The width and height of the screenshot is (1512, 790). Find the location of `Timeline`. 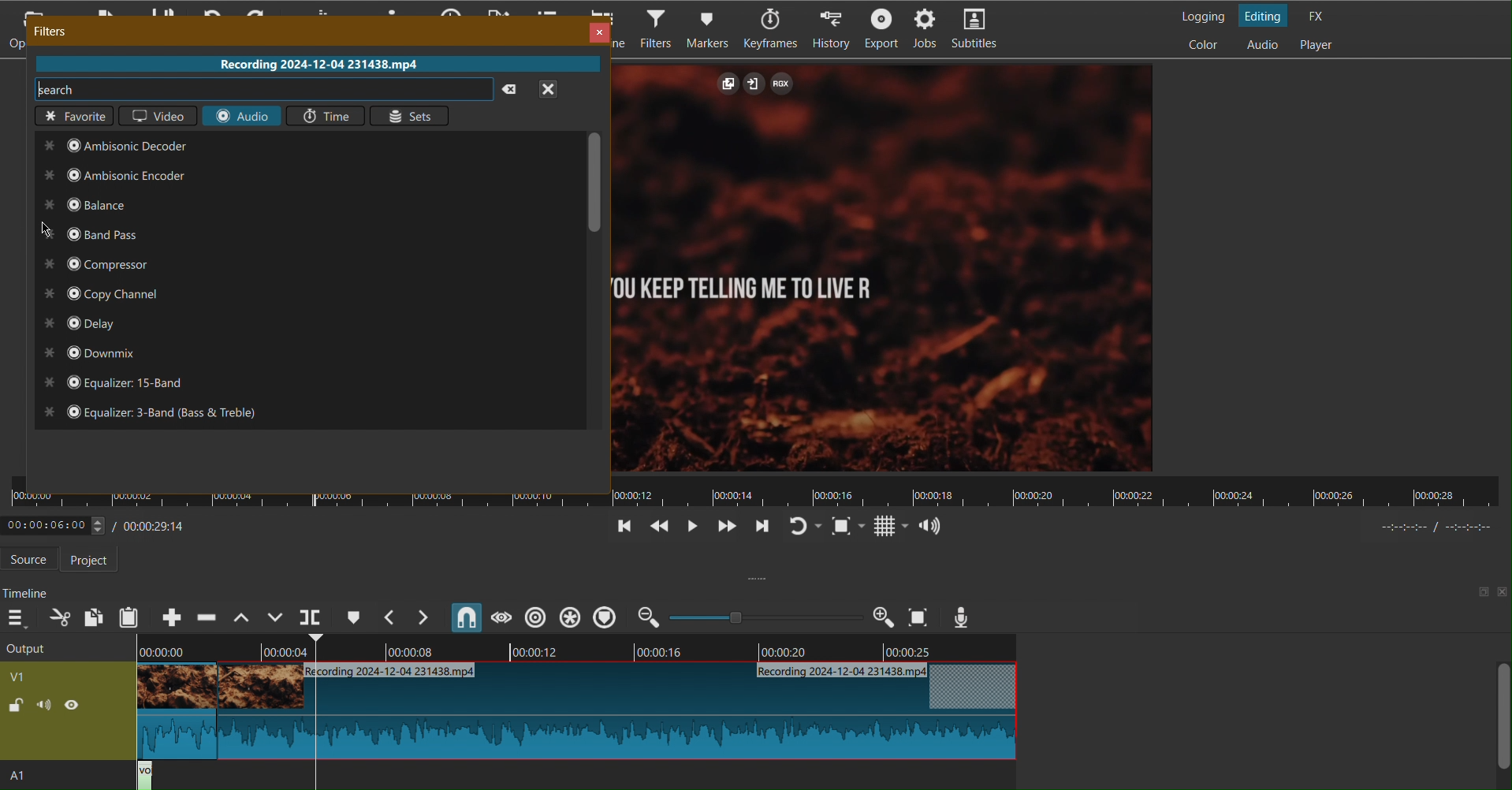

Timeline is located at coordinates (758, 491).